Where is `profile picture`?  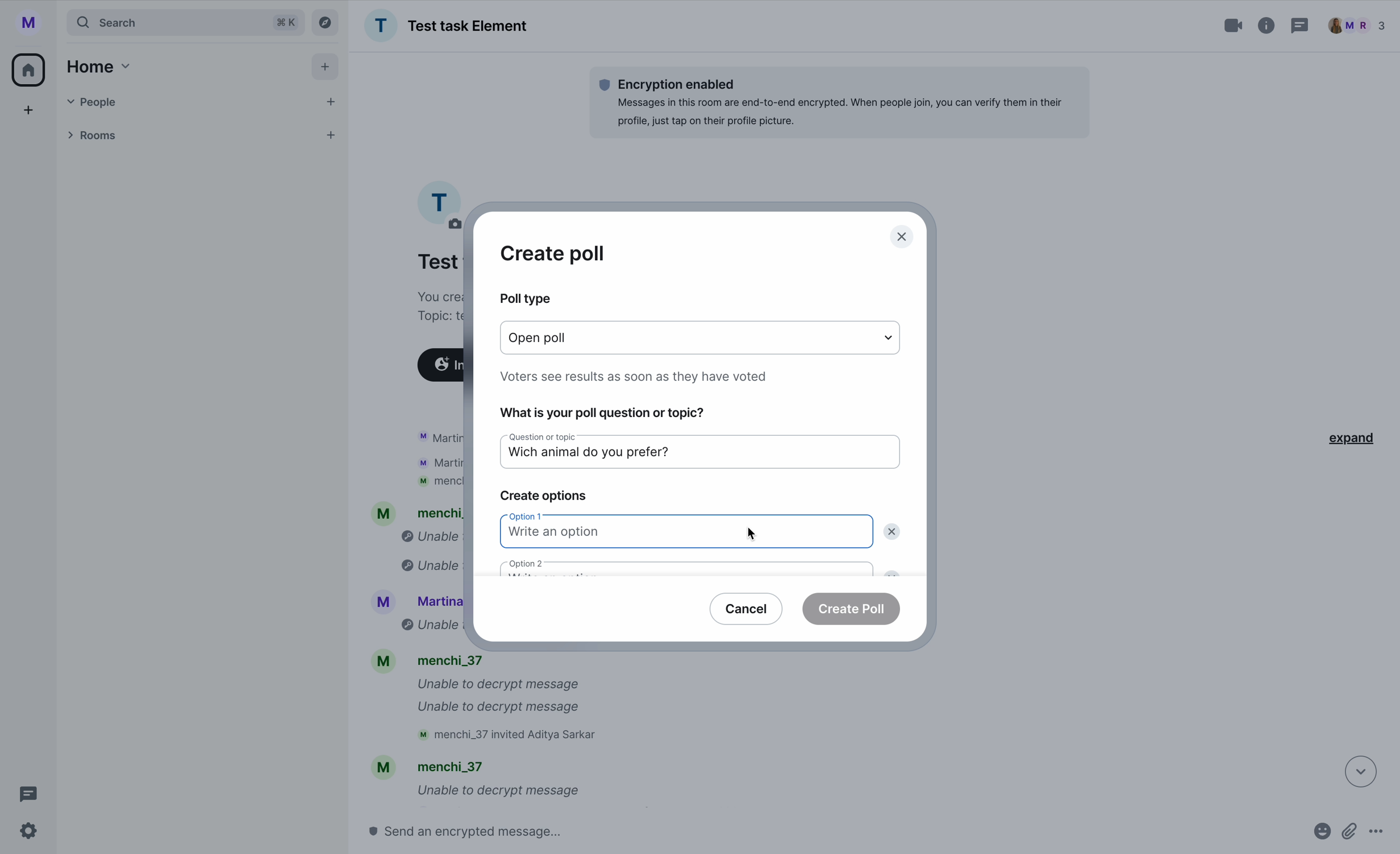
profile picture is located at coordinates (33, 23).